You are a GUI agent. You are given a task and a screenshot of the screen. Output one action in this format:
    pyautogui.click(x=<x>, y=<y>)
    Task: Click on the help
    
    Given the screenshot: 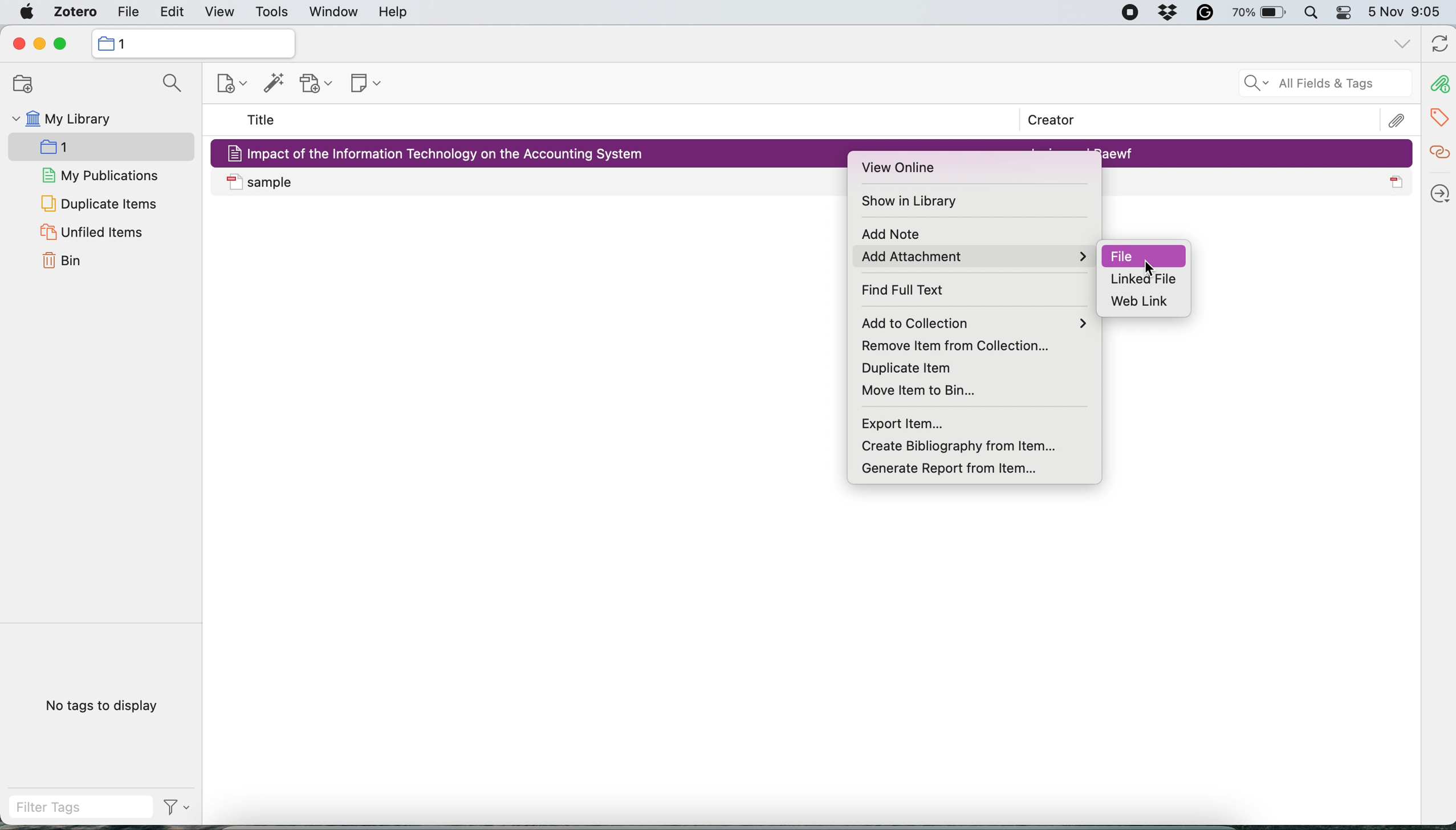 What is the action you would take?
    pyautogui.click(x=393, y=13)
    